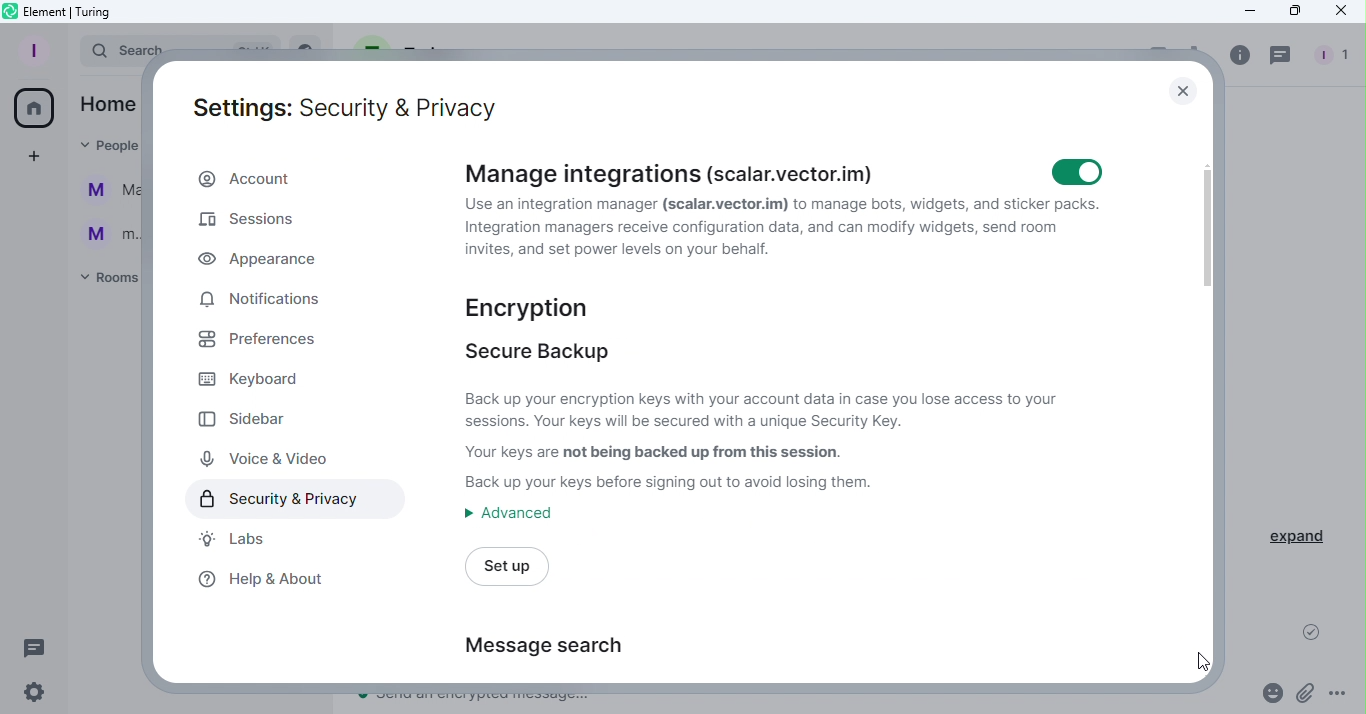 The image size is (1366, 714). Describe the element at coordinates (1184, 85) in the screenshot. I see `Close` at that location.